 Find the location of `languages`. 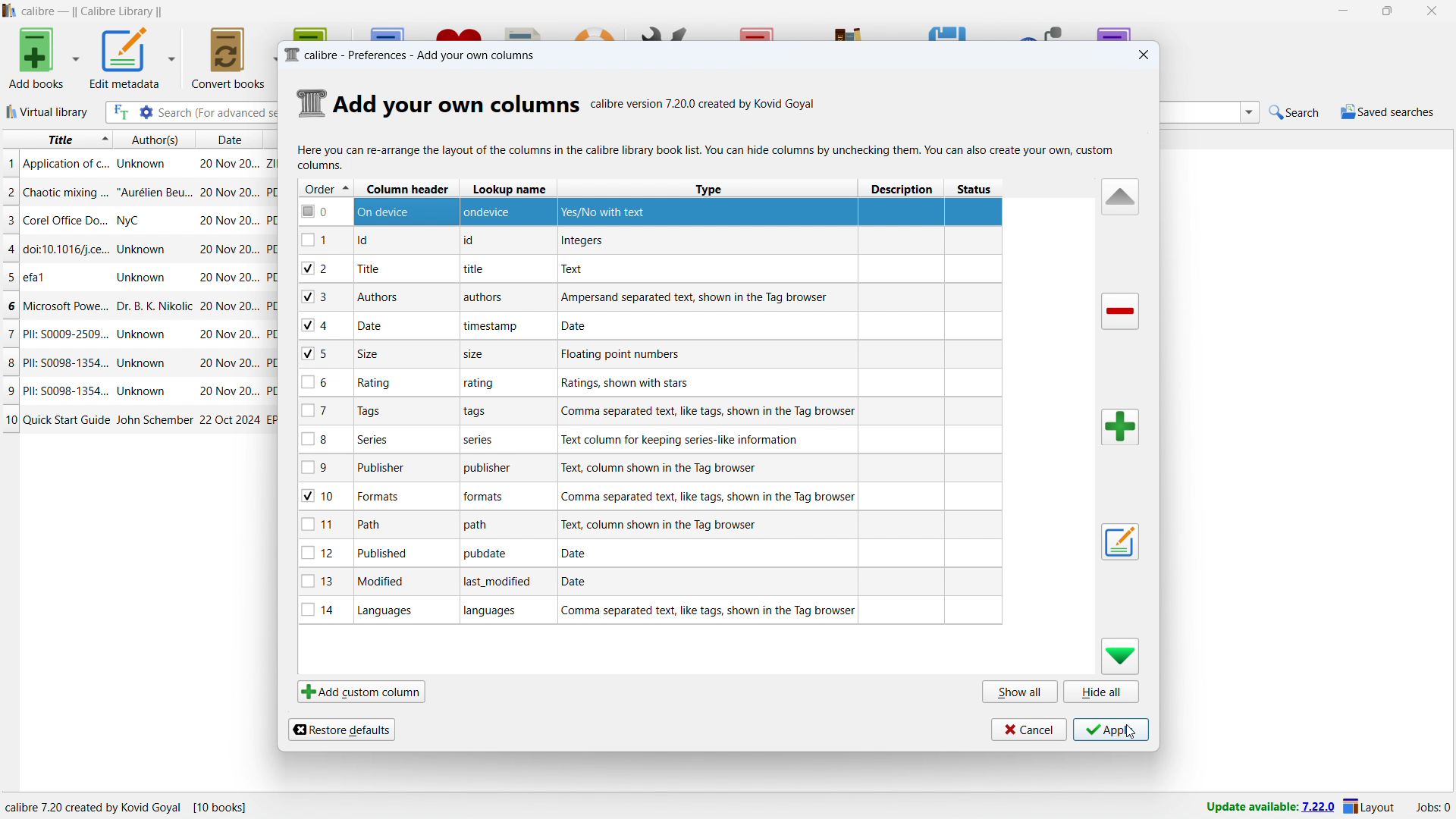

languages is located at coordinates (391, 610).